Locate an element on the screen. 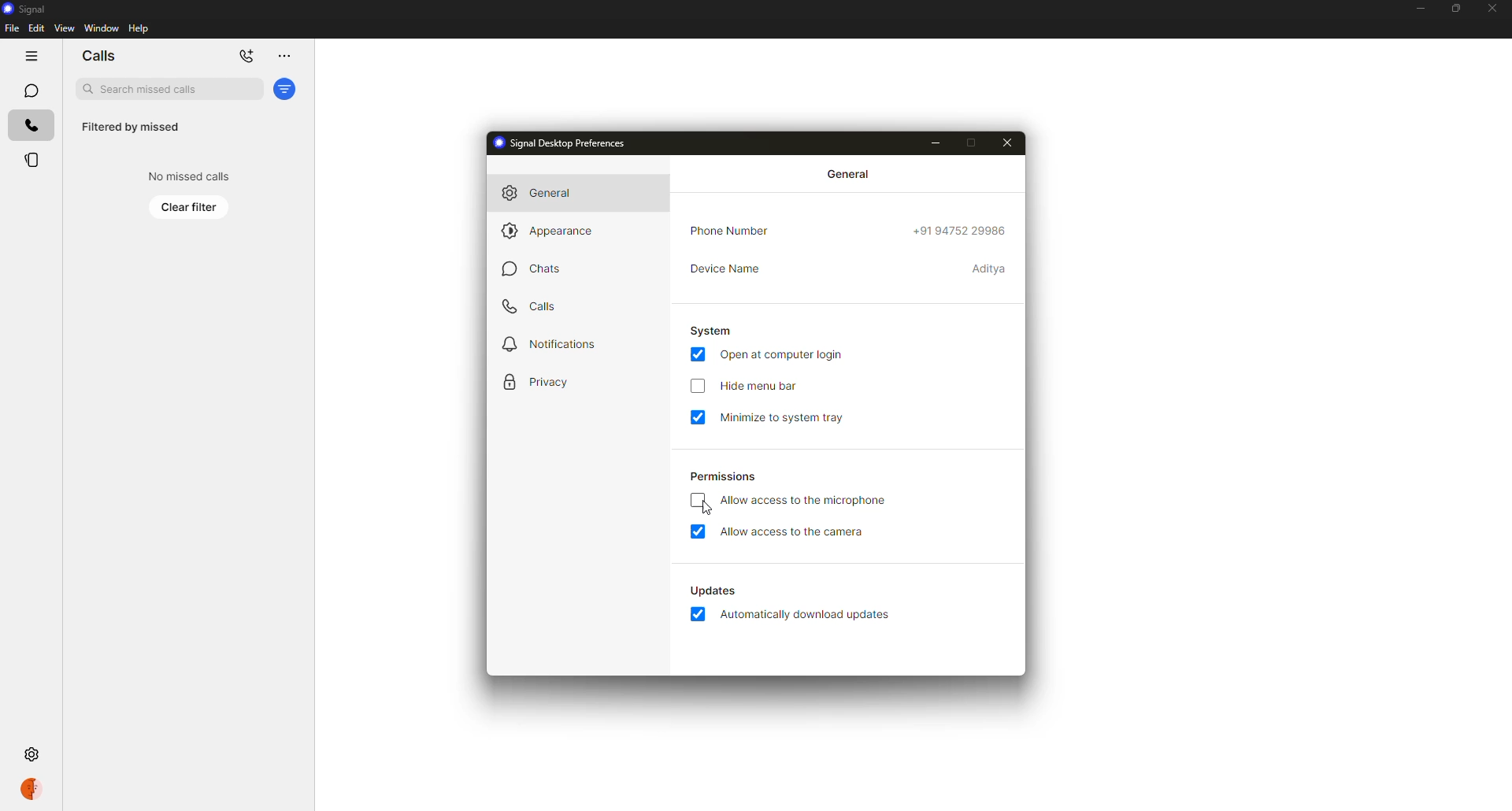 Image resolution: width=1512 pixels, height=811 pixels. device name is located at coordinates (725, 270).